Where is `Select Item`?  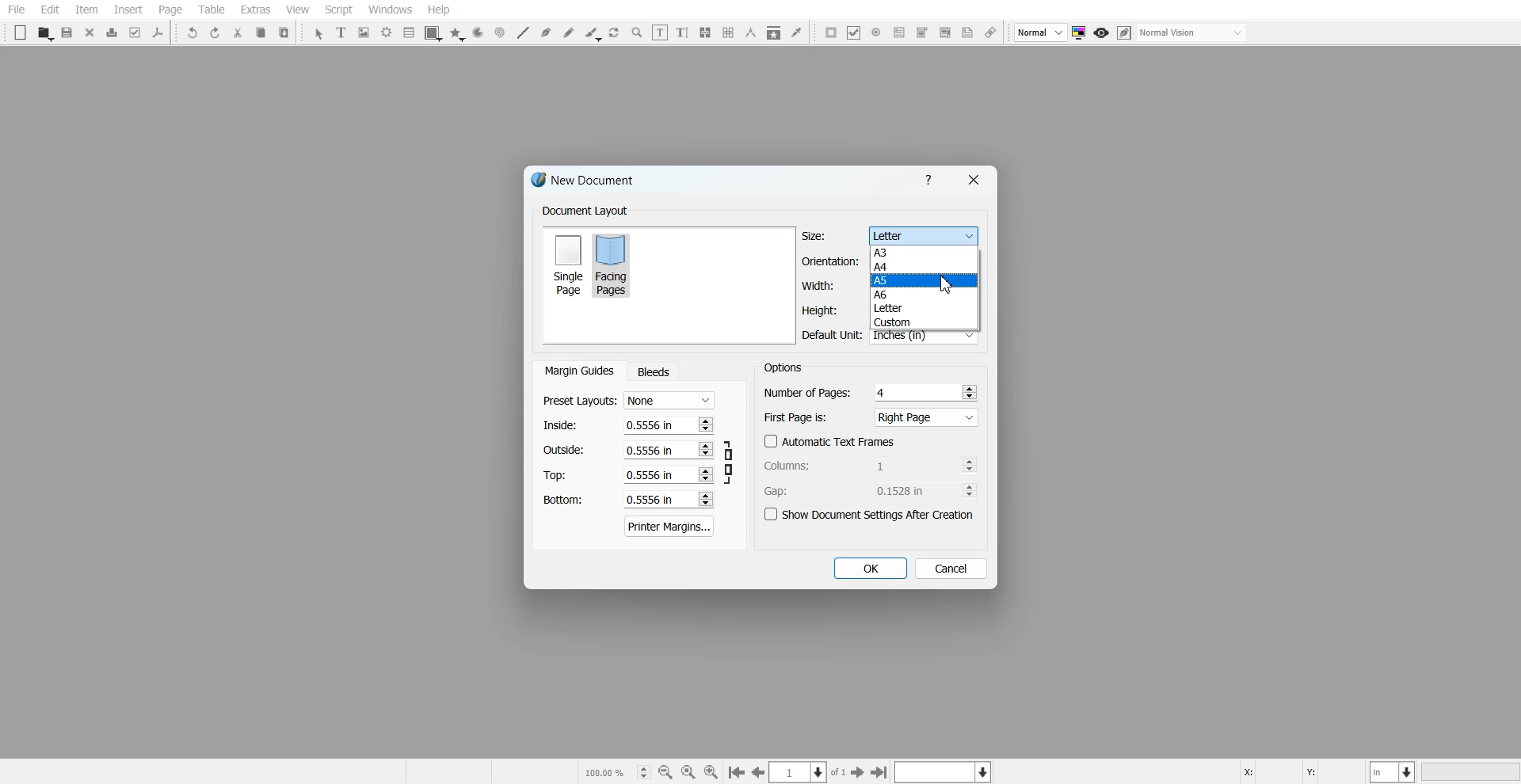 Select Item is located at coordinates (318, 34).